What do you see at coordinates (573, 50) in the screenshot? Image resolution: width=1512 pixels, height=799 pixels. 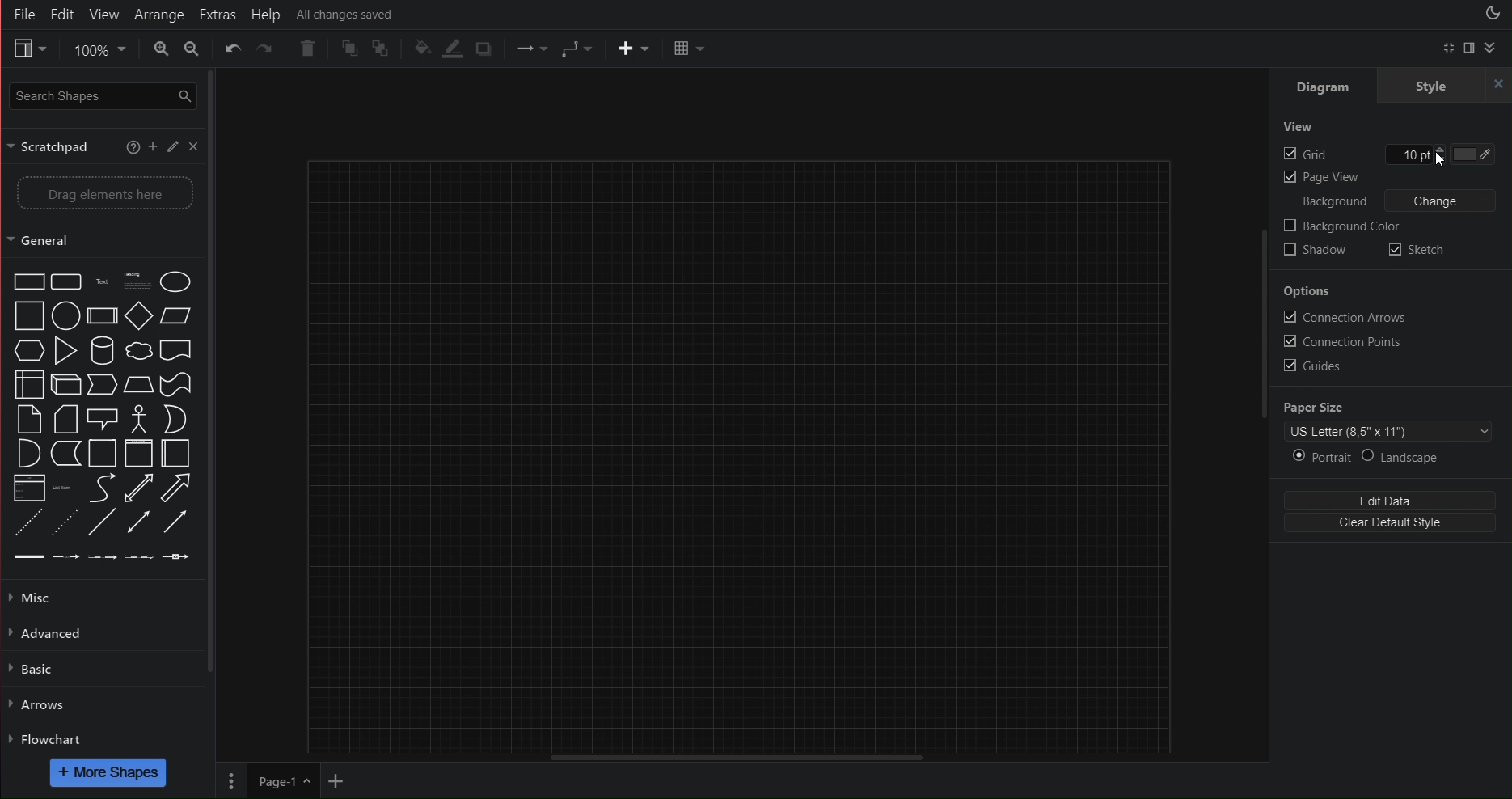 I see `Waypoints` at bounding box center [573, 50].